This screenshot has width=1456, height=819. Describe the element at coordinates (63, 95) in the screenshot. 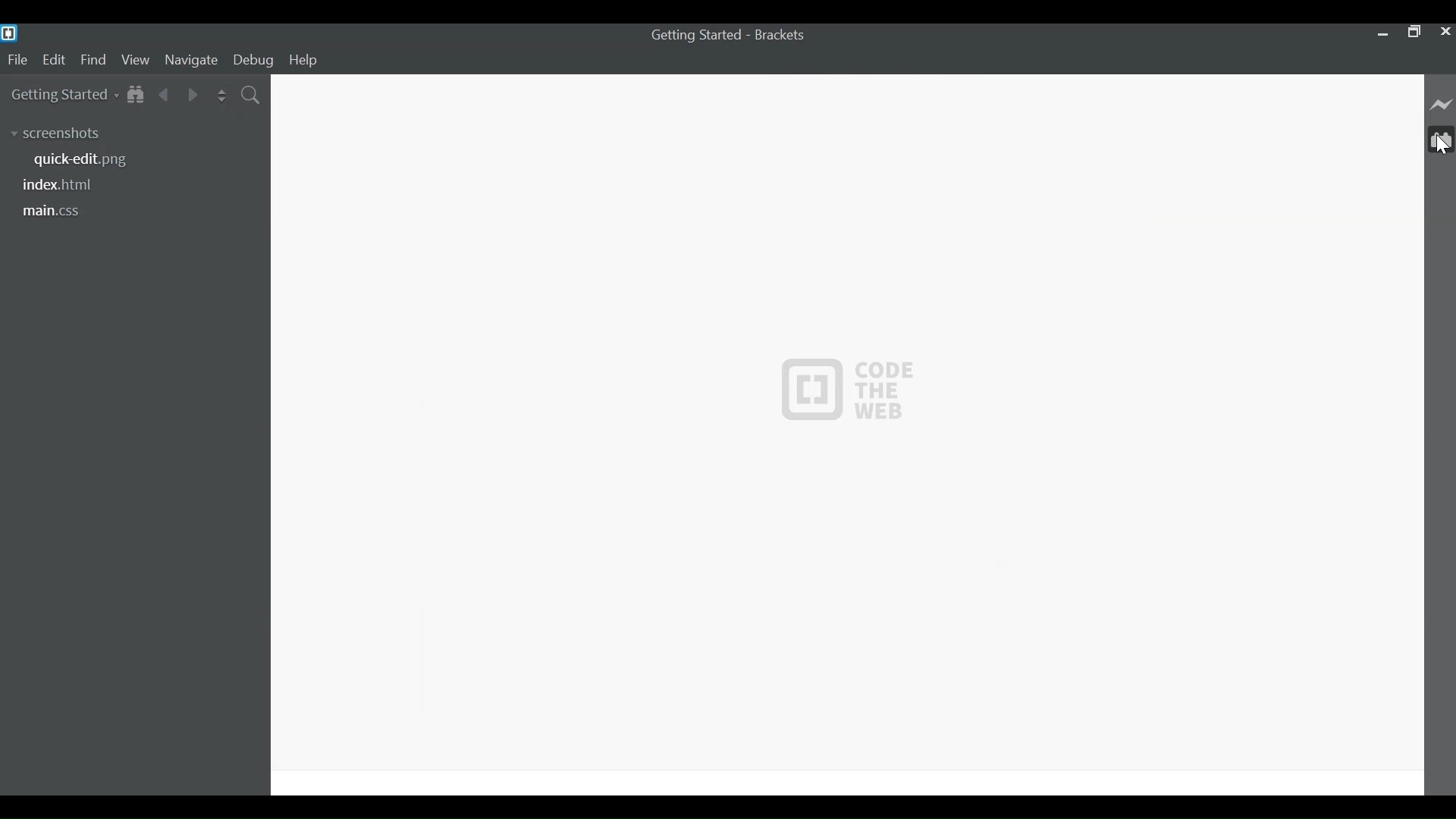

I see `Getting Started` at that location.